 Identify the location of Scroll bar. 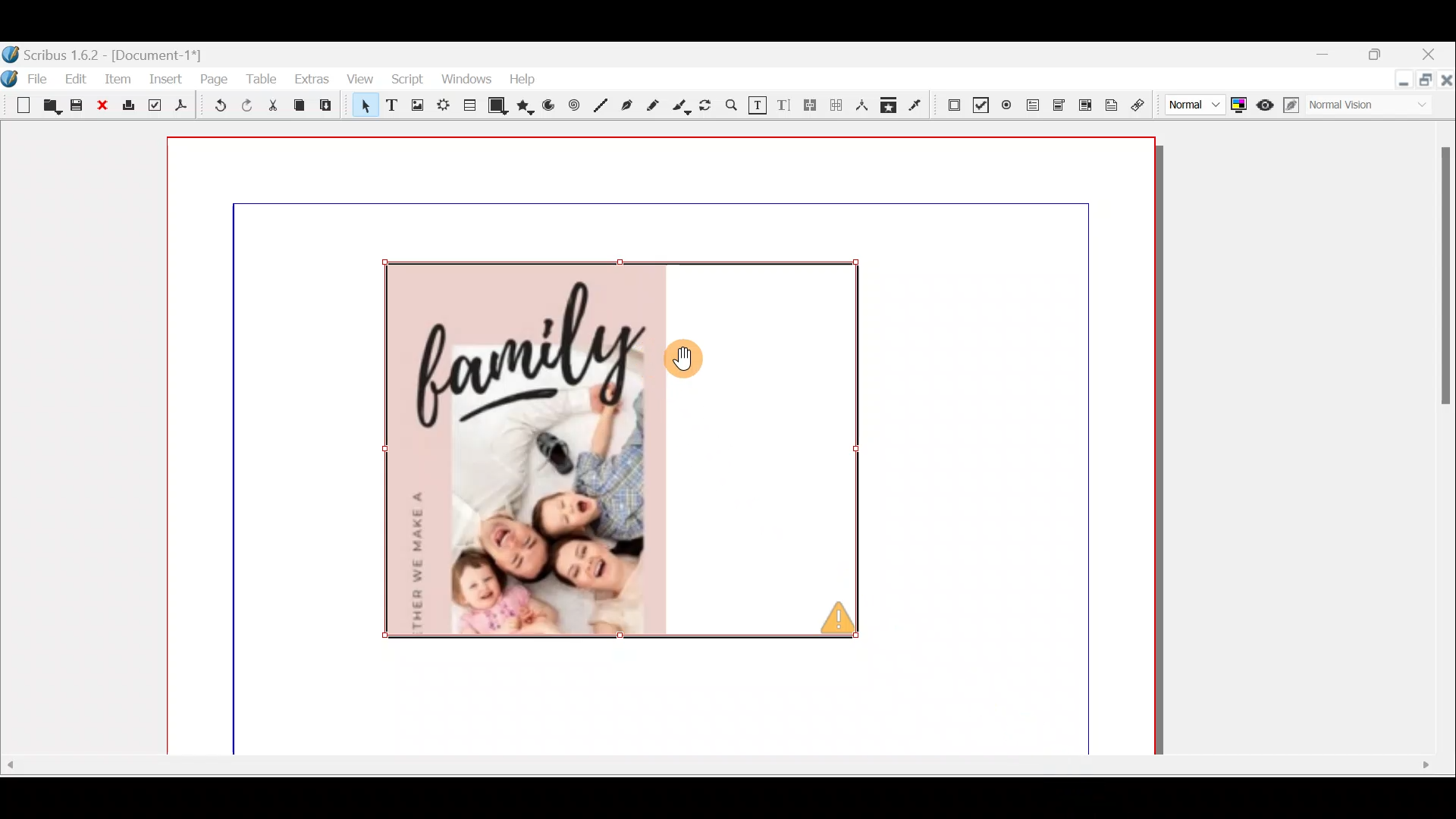
(725, 768).